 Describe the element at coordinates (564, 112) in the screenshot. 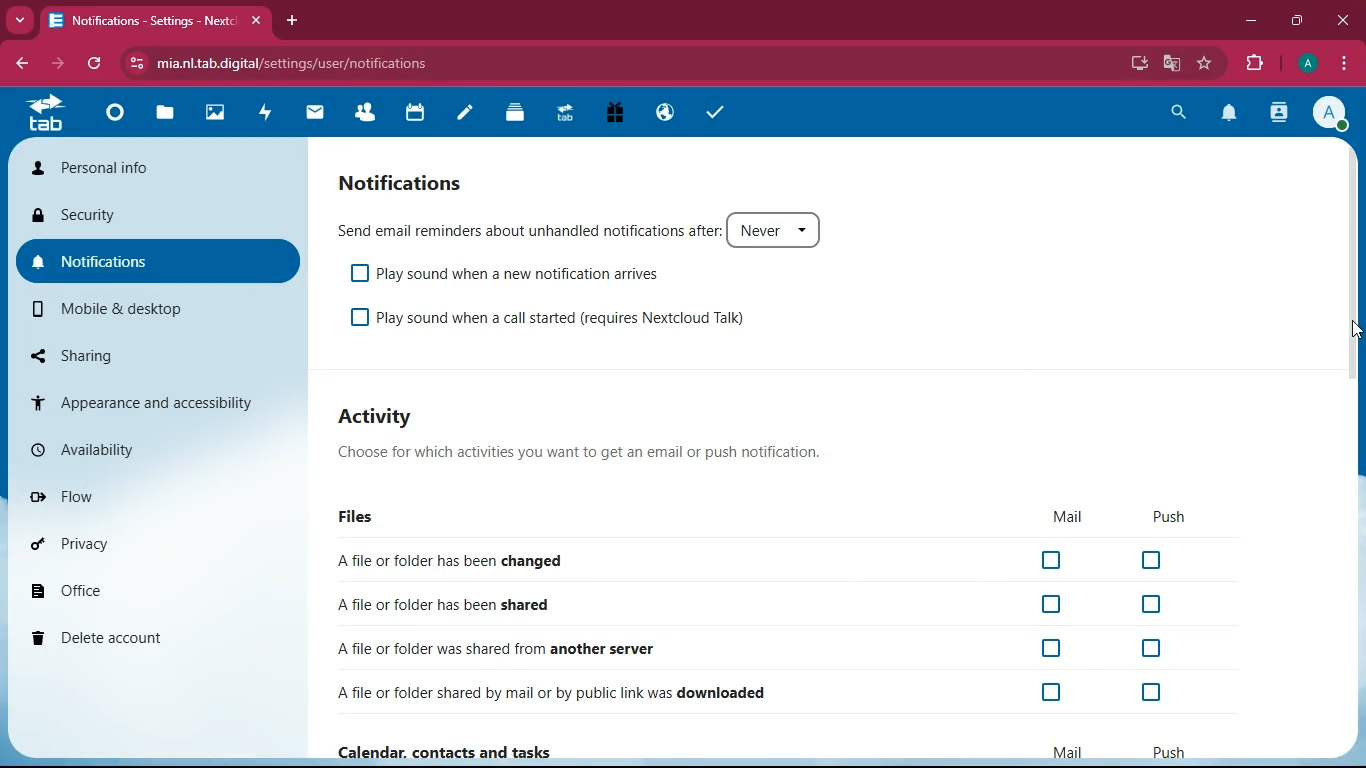

I see `tab` at that location.